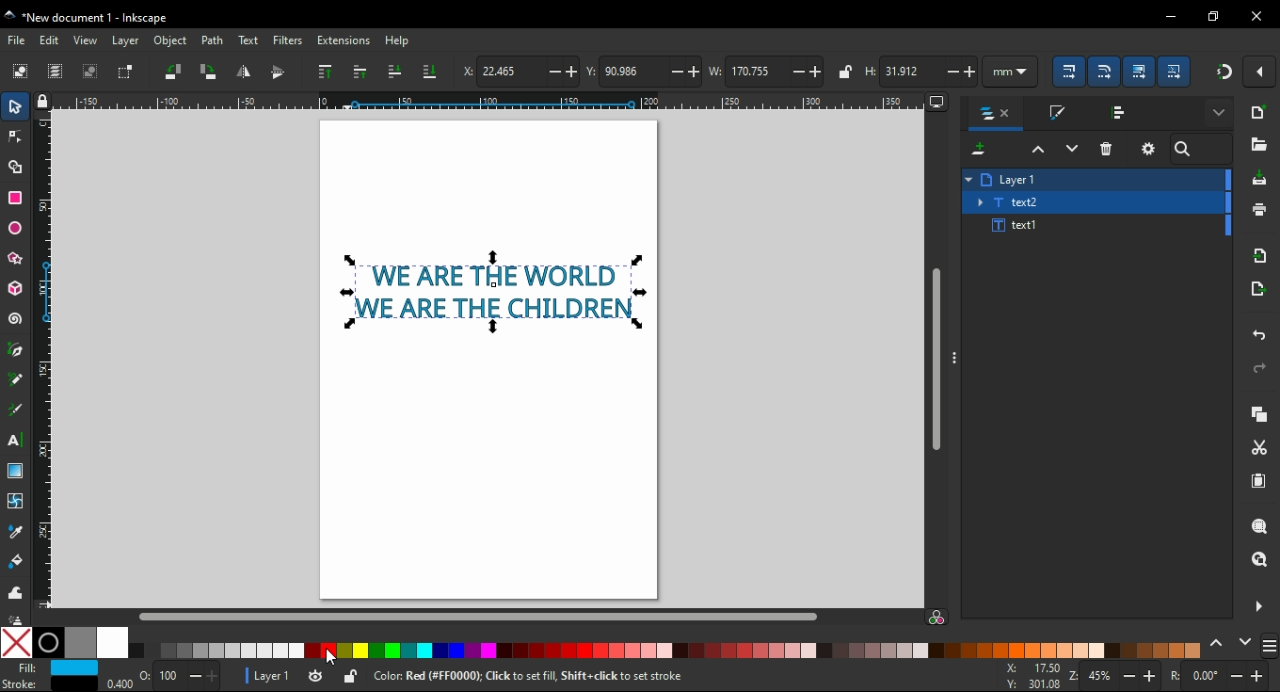  I want to click on delete layer, so click(1106, 149).